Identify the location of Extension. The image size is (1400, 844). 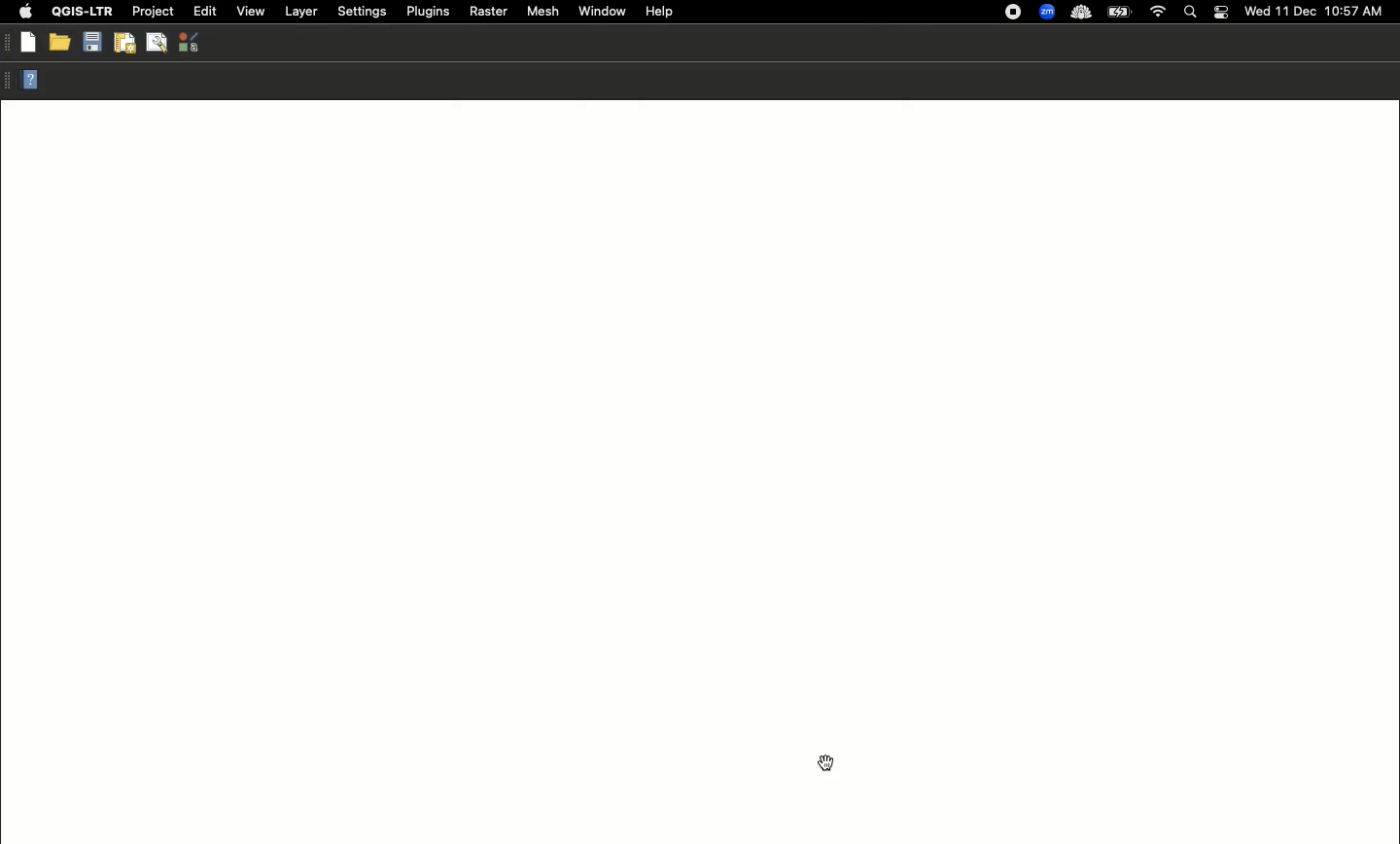
(1049, 13).